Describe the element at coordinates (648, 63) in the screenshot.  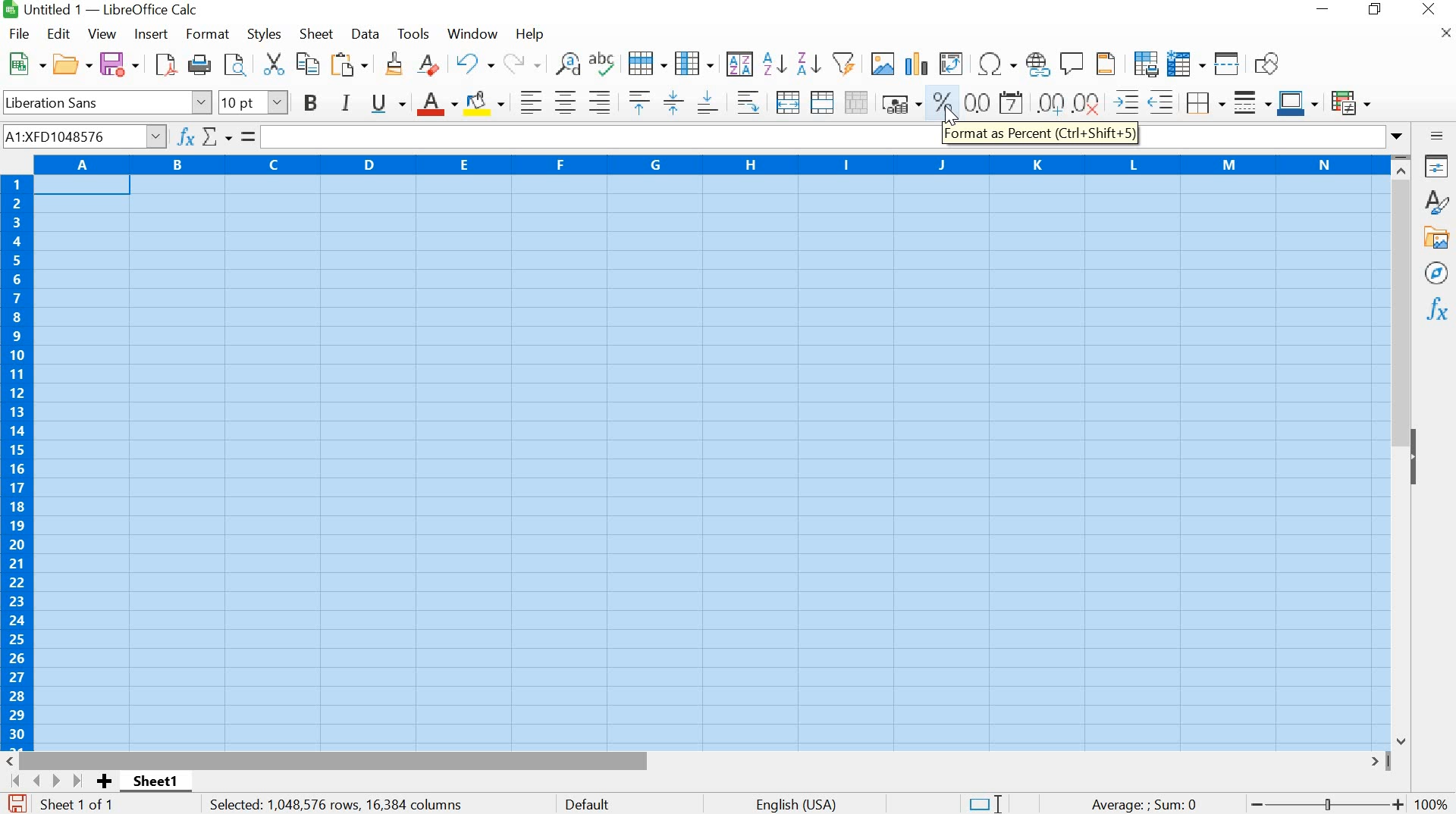
I see `ROW` at that location.